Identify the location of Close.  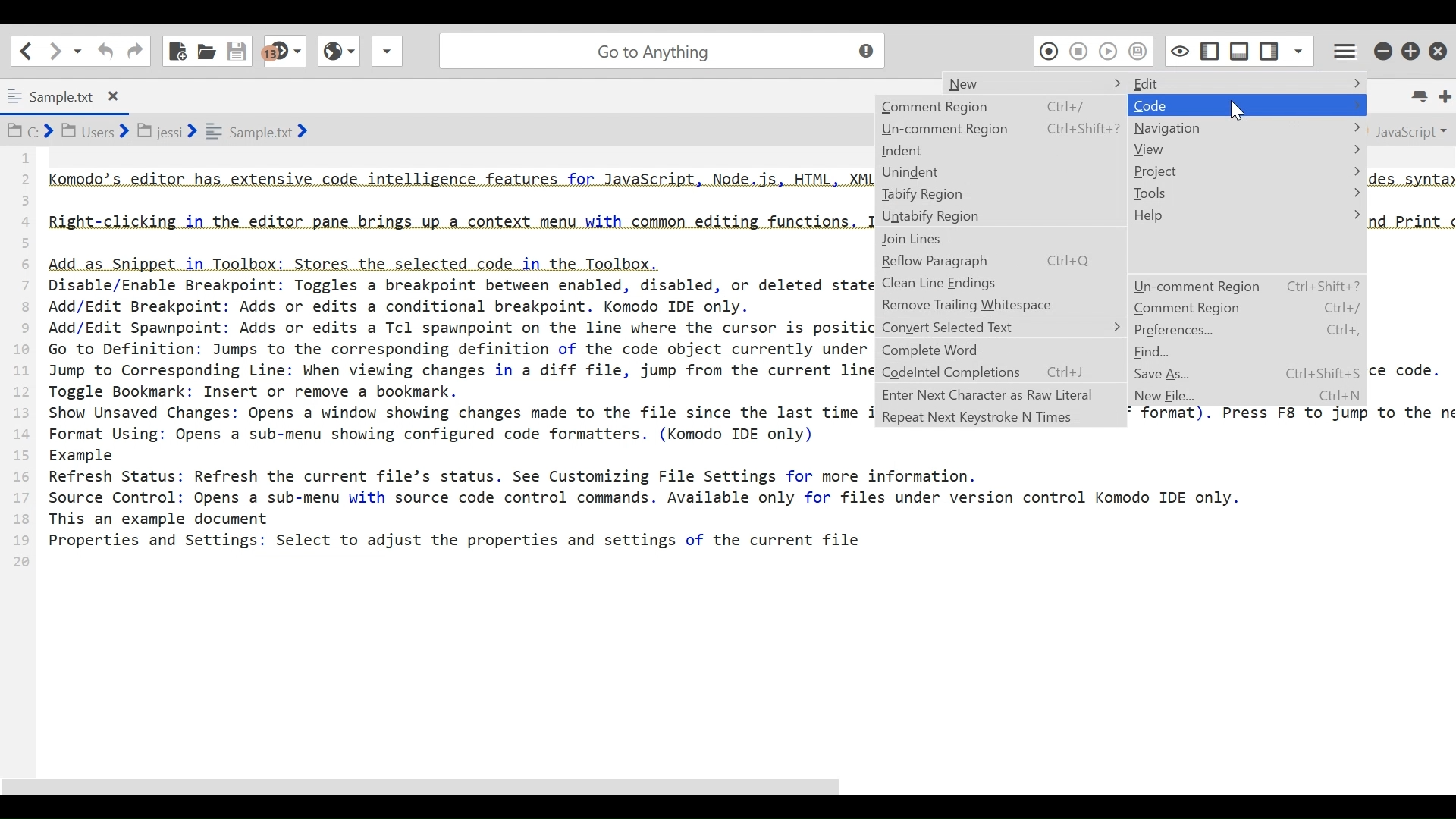
(1440, 47).